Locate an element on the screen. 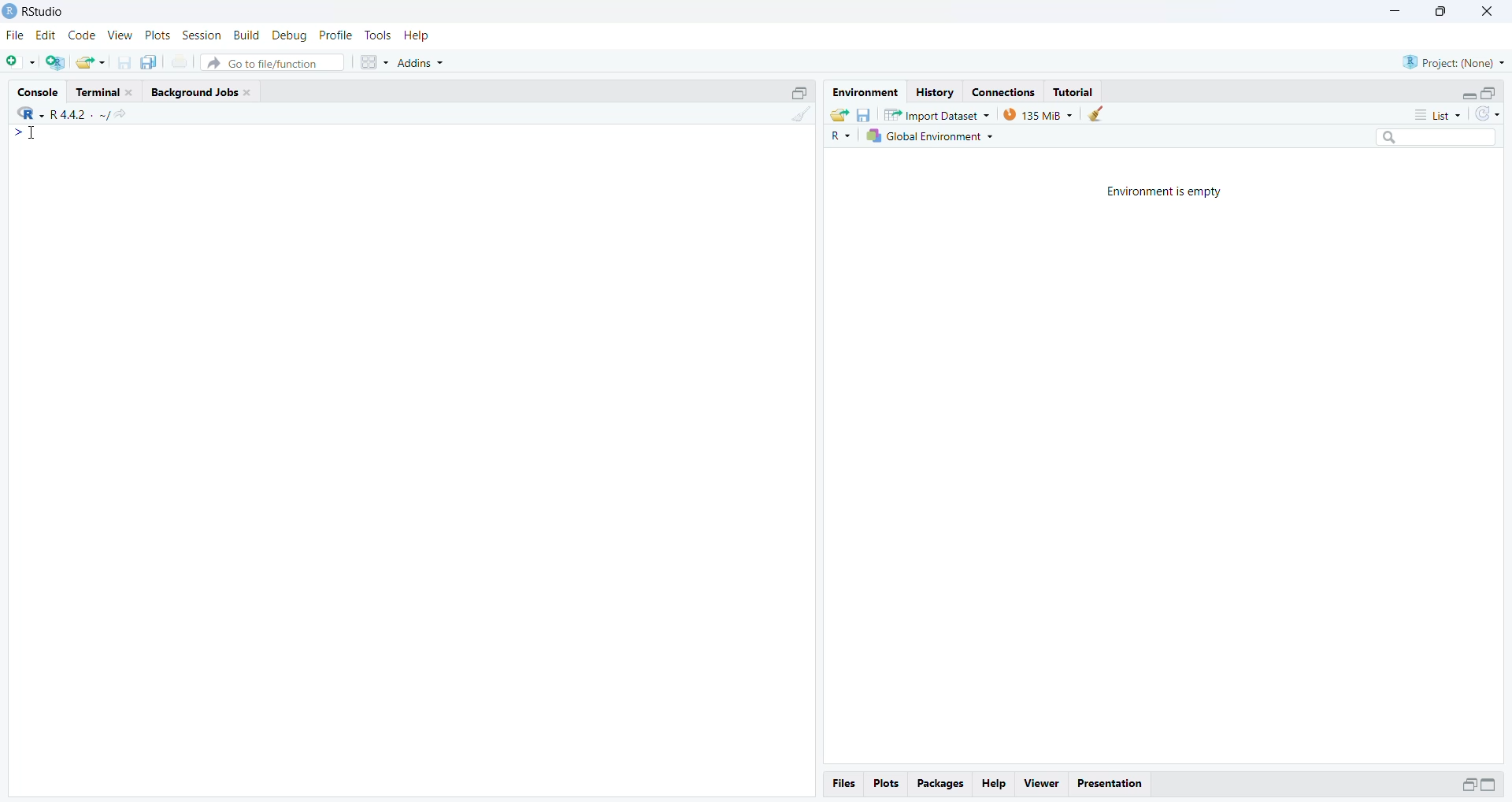 Image resolution: width=1512 pixels, height=802 pixels. Save current document (Ctrl + S) is located at coordinates (128, 62).